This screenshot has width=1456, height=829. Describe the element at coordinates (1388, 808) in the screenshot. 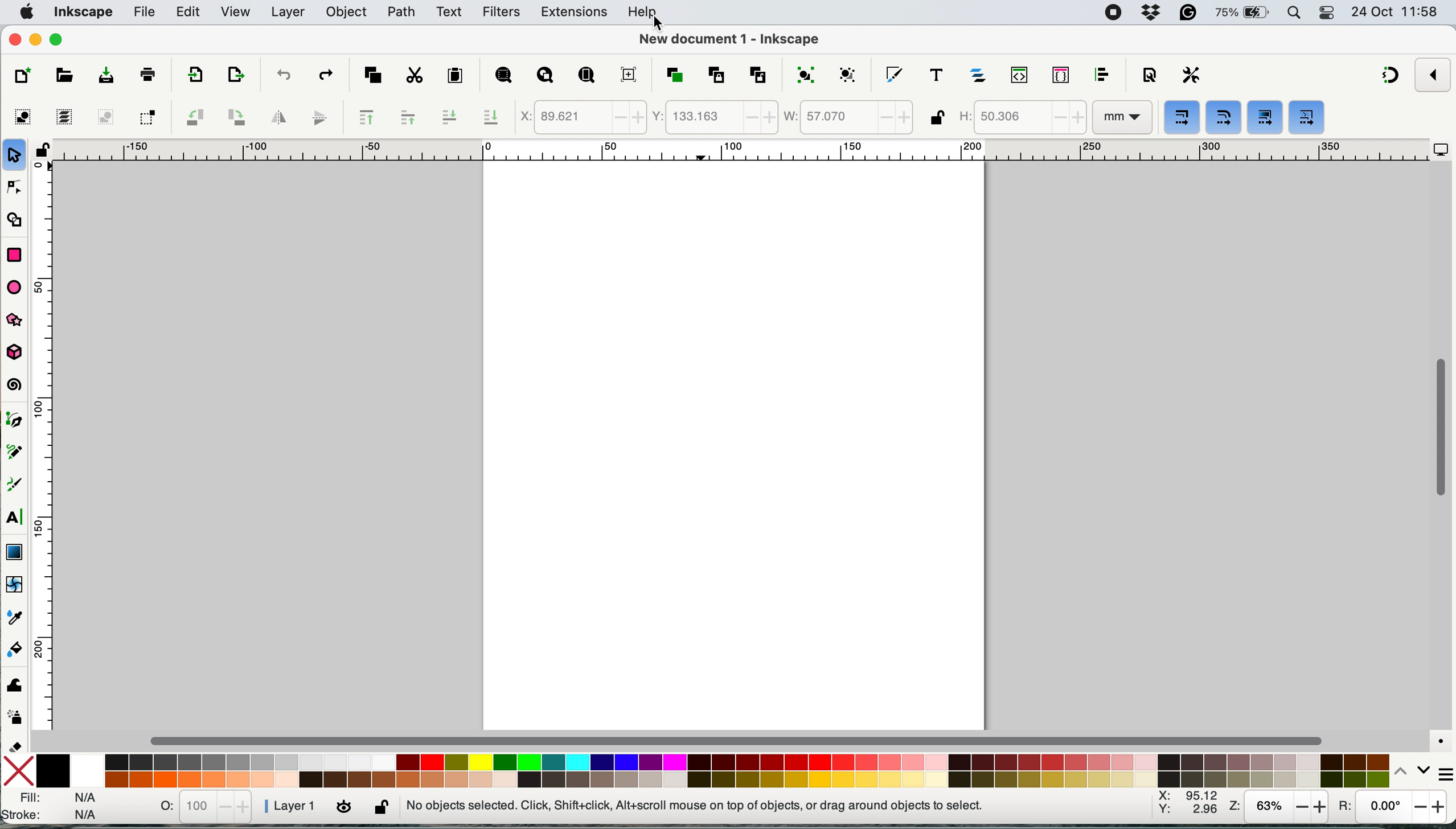

I see `rotation` at that location.